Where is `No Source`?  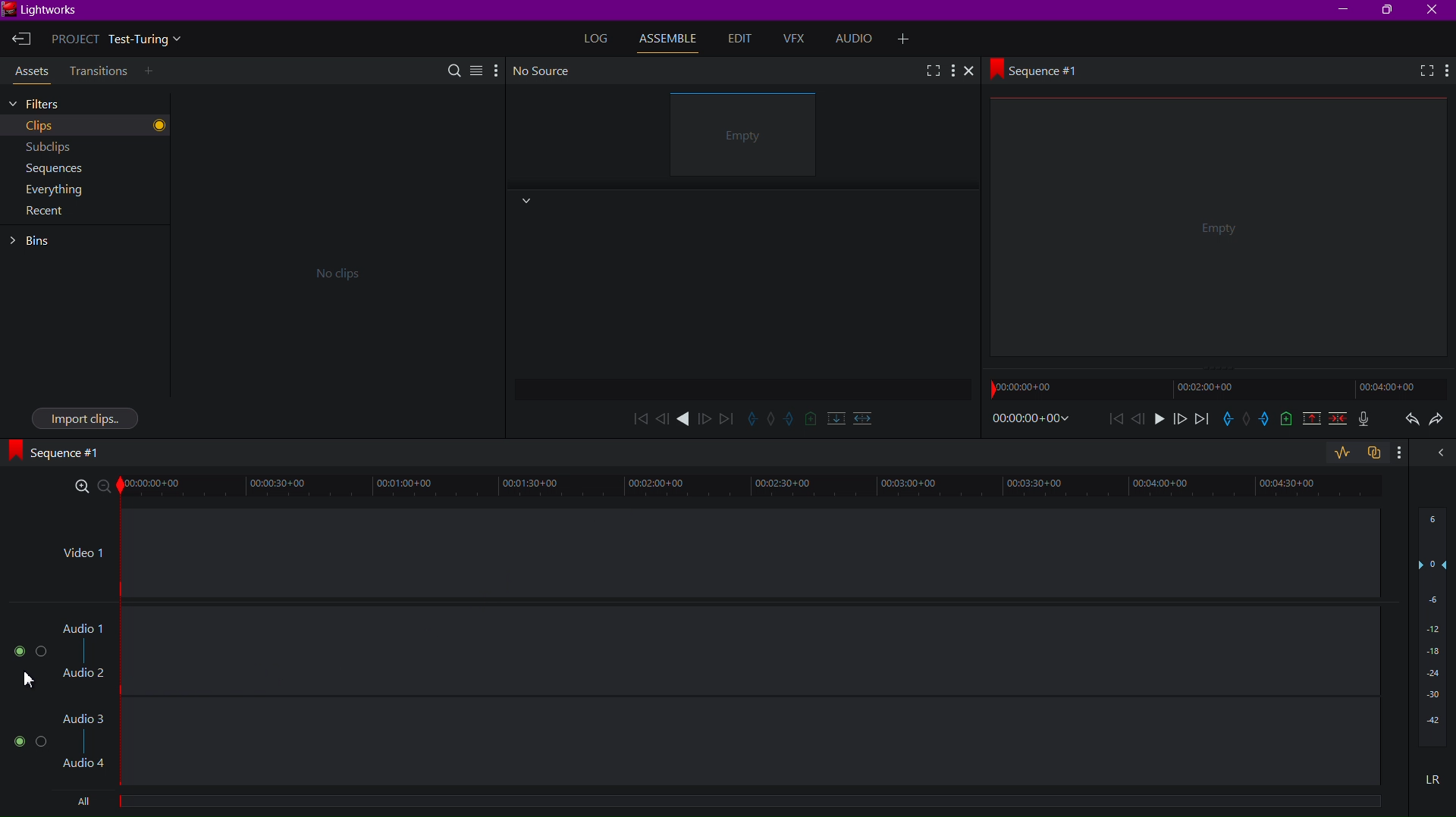 No Source is located at coordinates (544, 70).